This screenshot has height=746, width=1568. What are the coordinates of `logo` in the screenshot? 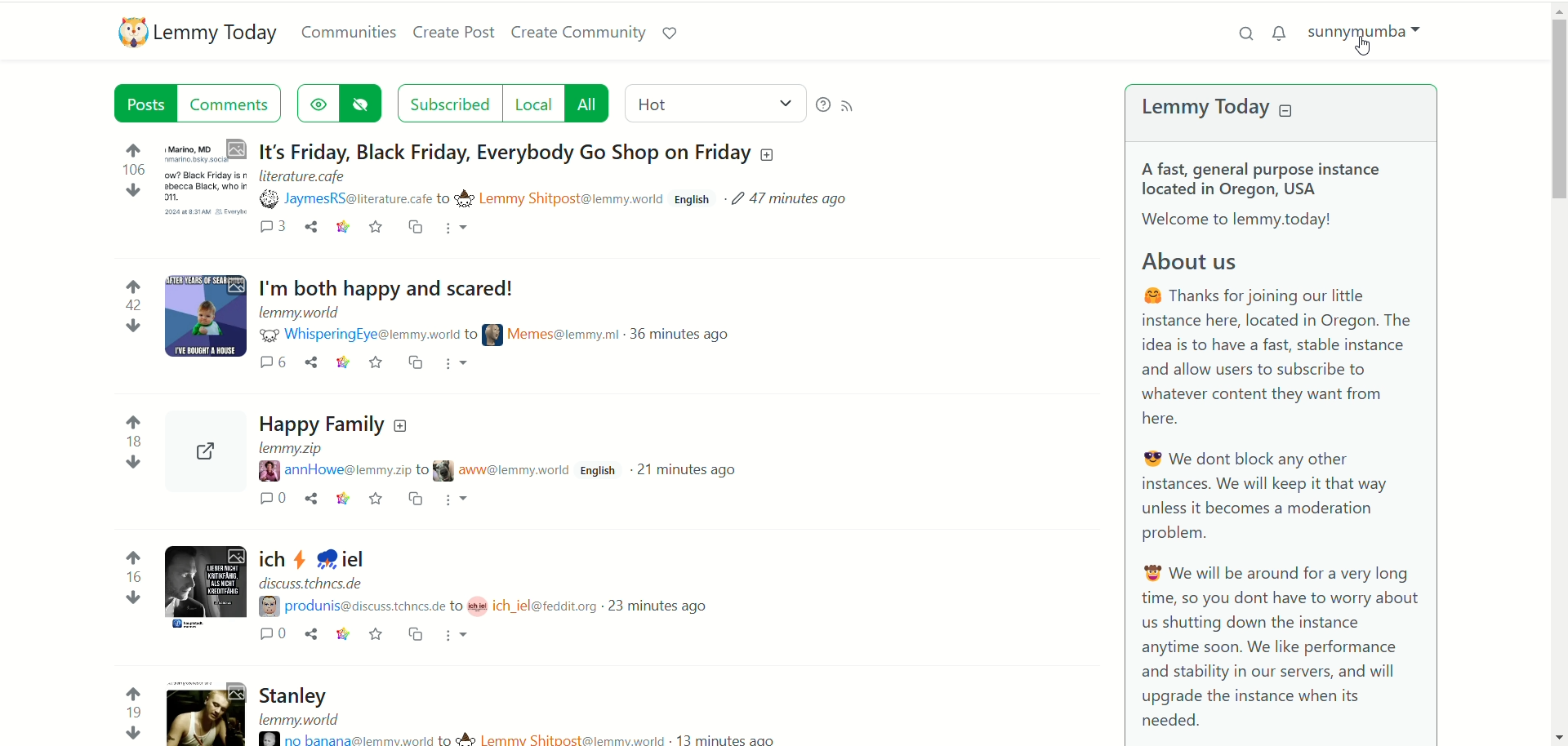 It's located at (128, 33).